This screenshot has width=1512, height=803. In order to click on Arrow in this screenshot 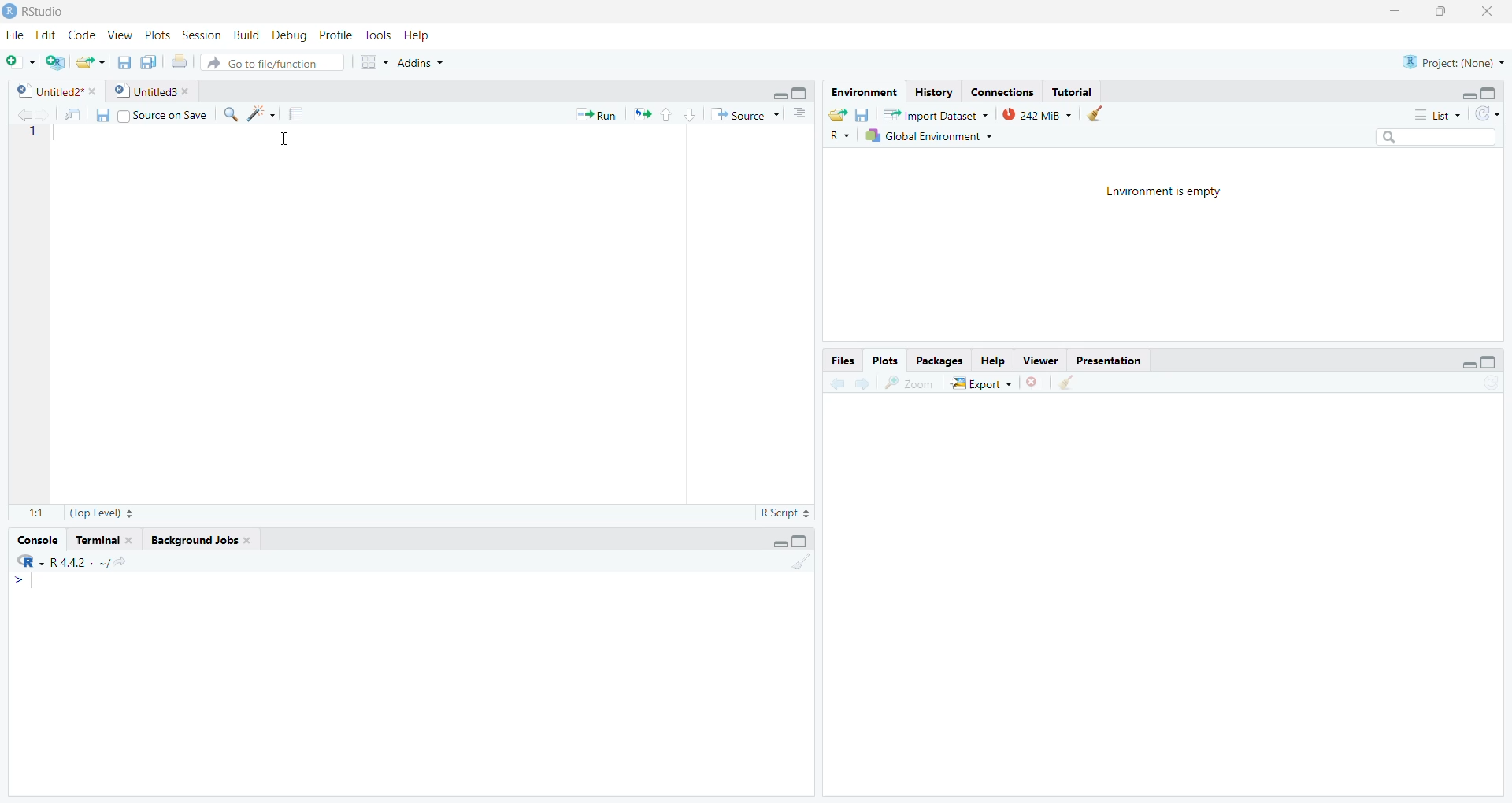, I will do `click(20, 581)`.